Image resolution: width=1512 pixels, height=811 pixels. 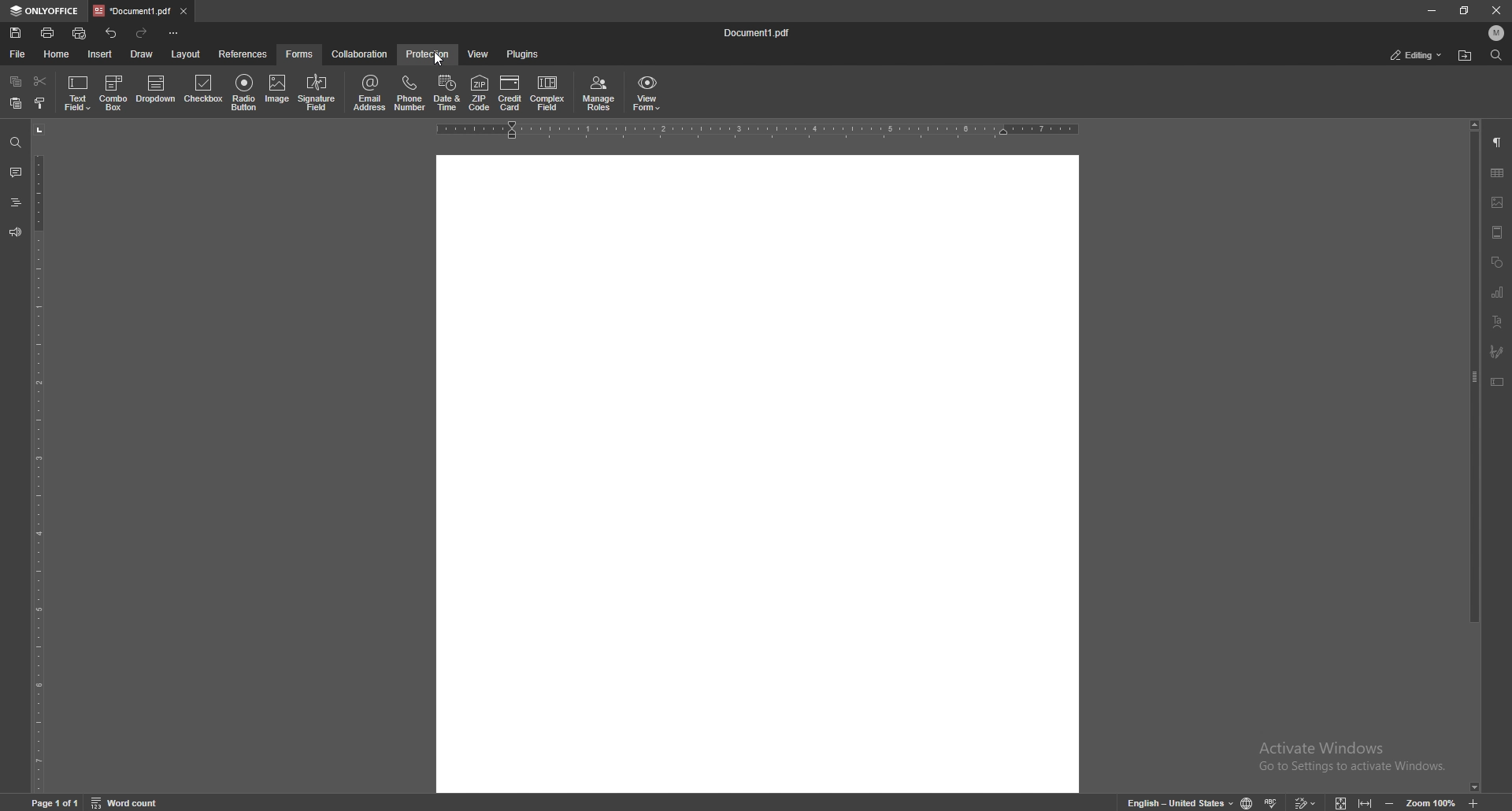 What do you see at coordinates (475, 55) in the screenshot?
I see `view` at bounding box center [475, 55].